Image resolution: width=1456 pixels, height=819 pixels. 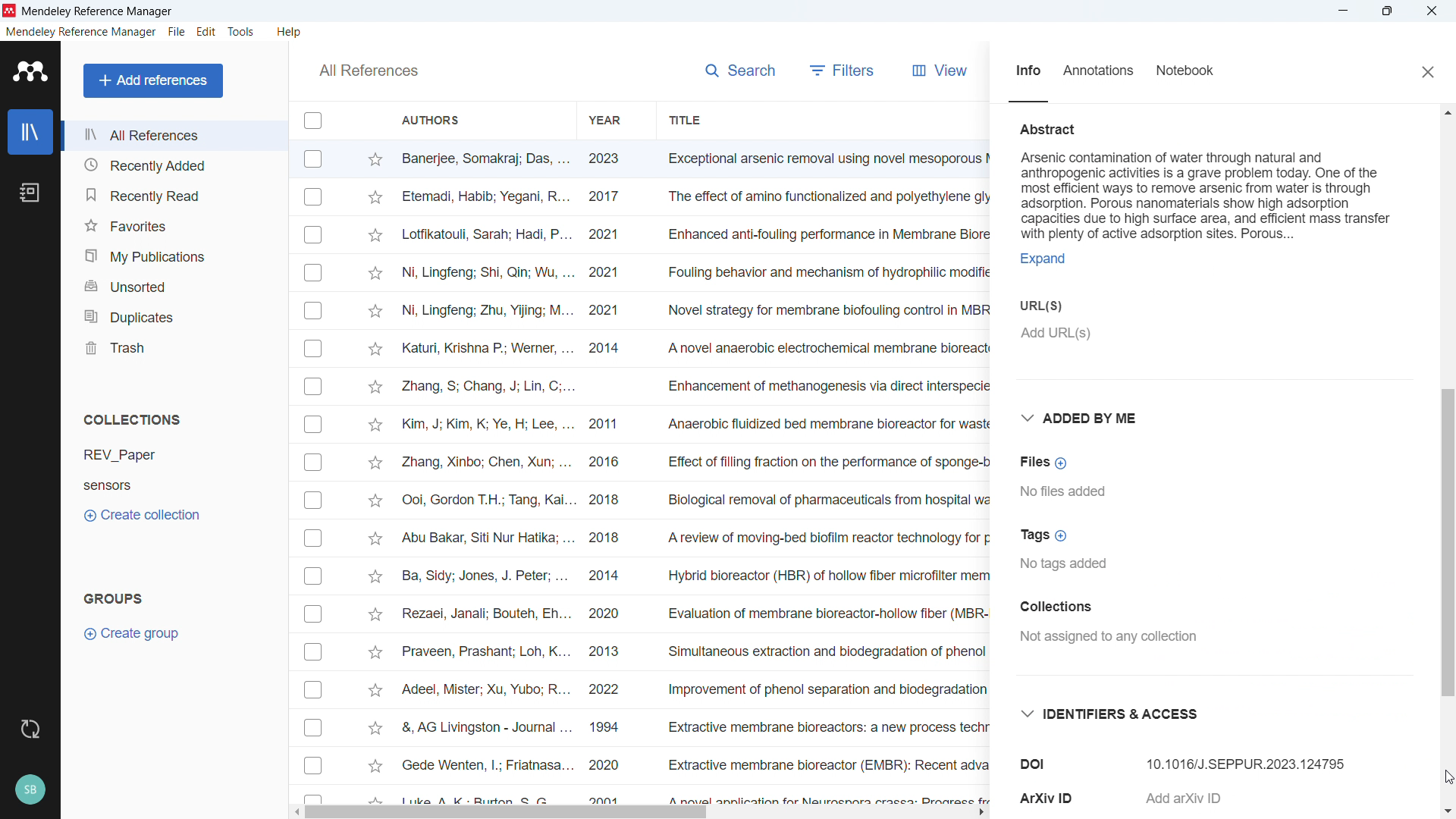 What do you see at coordinates (30, 193) in the screenshot?
I see `notebook` at bounding box center [30, 193].